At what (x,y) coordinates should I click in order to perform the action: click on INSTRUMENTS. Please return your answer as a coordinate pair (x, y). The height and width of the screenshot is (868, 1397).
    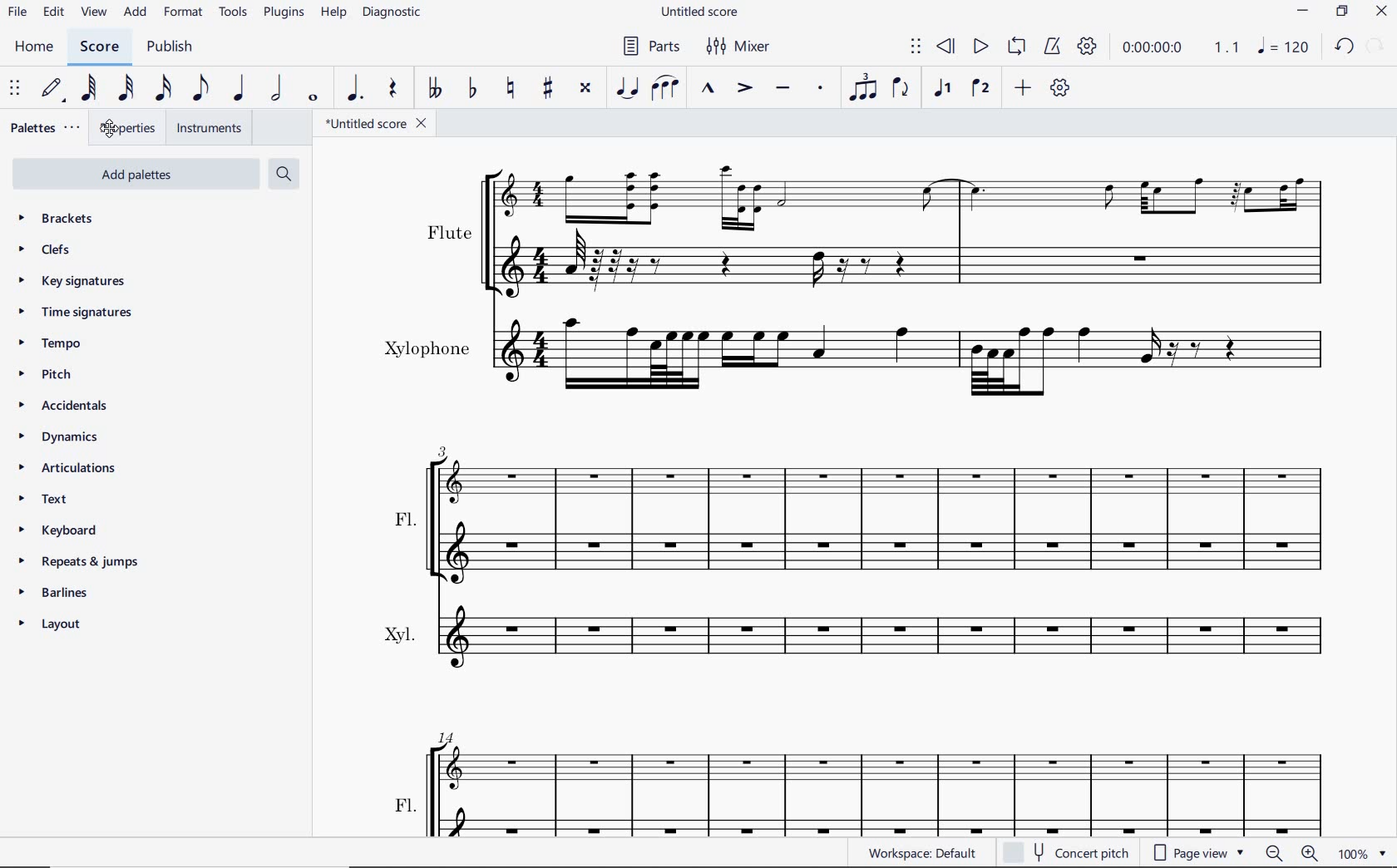
    Looking at the image, I should click on (209, 129).